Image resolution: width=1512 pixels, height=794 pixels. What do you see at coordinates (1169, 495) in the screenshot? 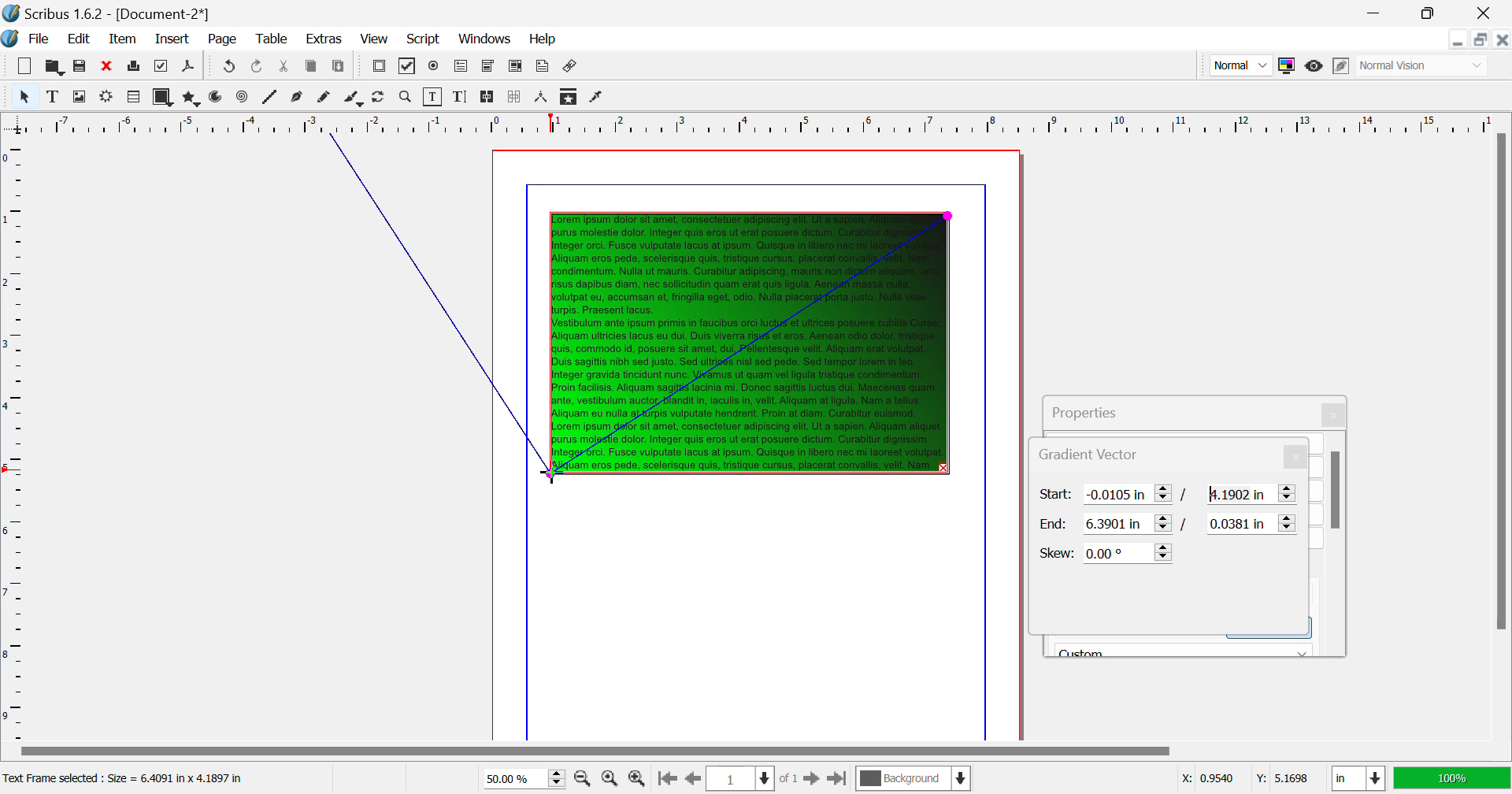
I see `Gradient Vector Start` at bounding box center [1169, 495].